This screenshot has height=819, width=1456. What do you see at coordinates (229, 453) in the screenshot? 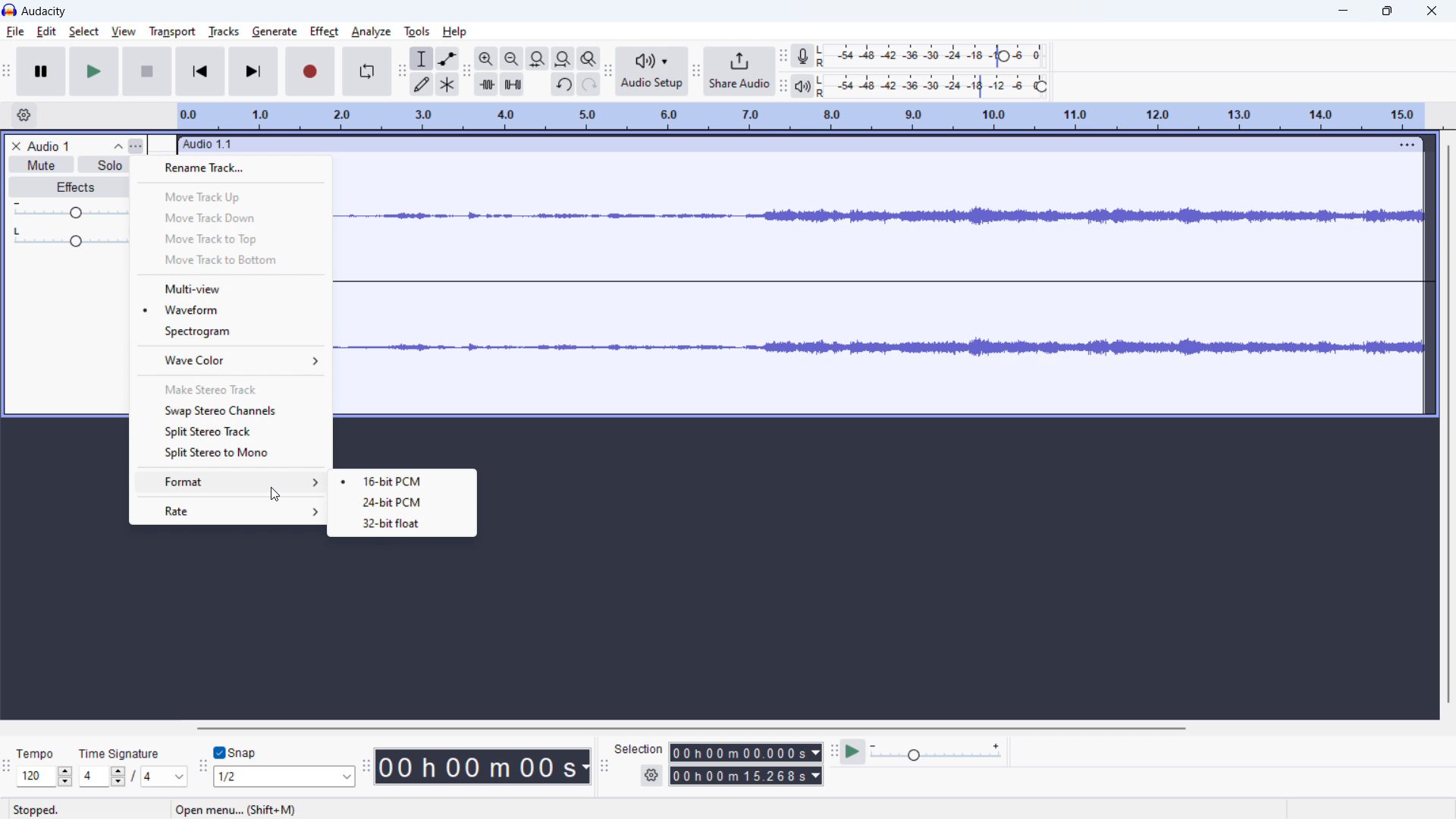
I see `split stereo to mono` at bounding box center [229, 453].